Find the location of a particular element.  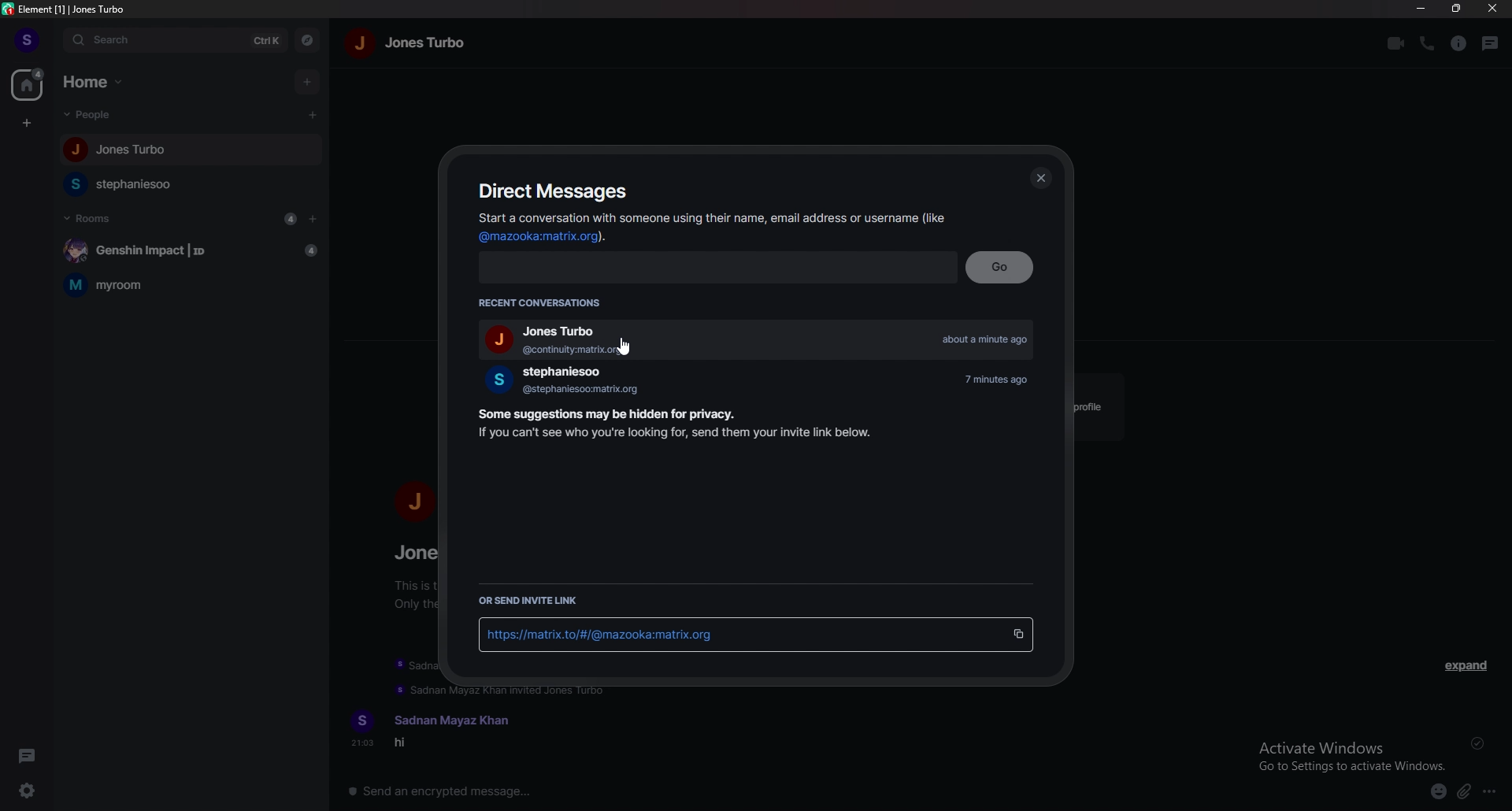

4 is located at coordinates (290, 219).